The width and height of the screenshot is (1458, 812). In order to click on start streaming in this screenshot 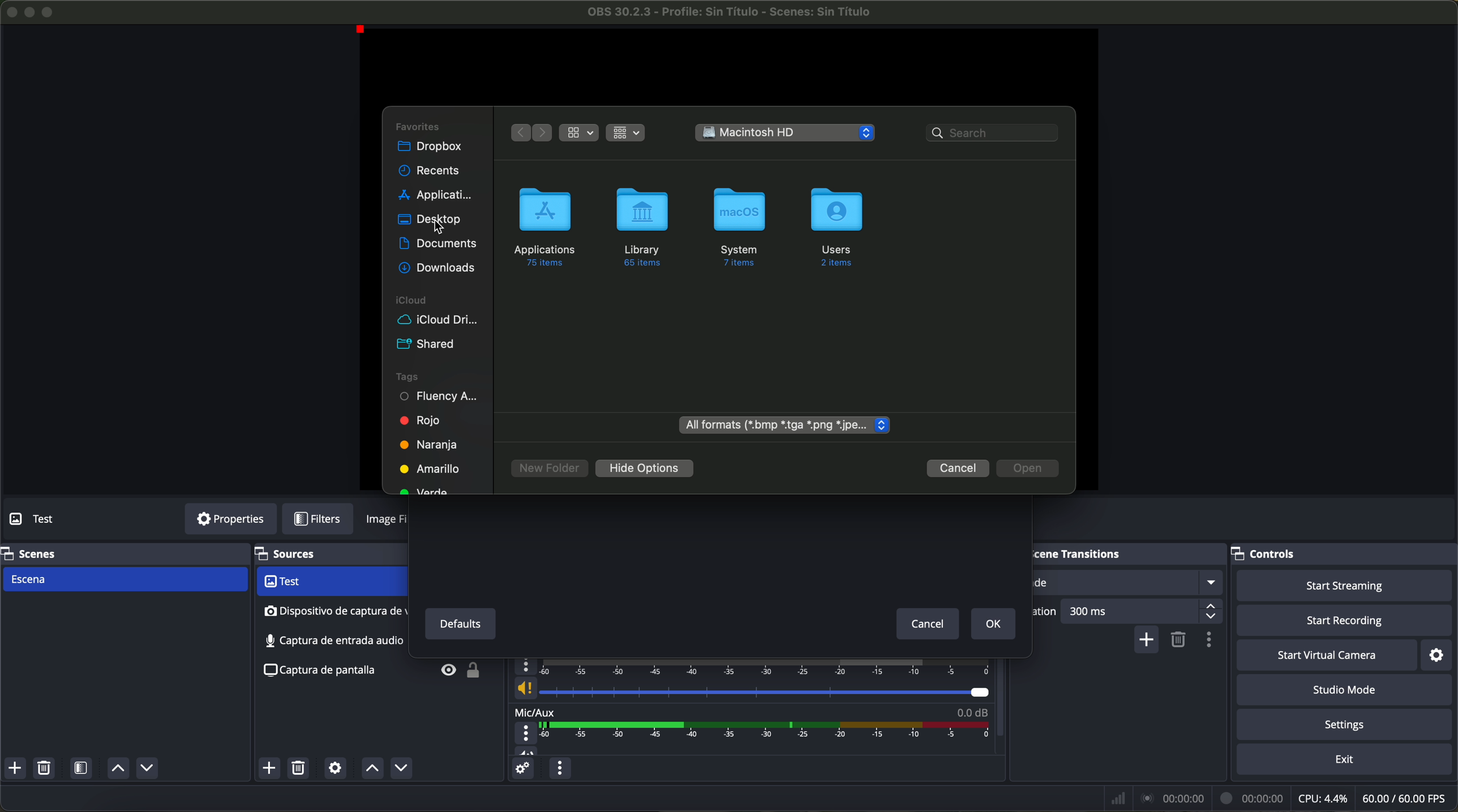, I will do `click(1340, 585)`.